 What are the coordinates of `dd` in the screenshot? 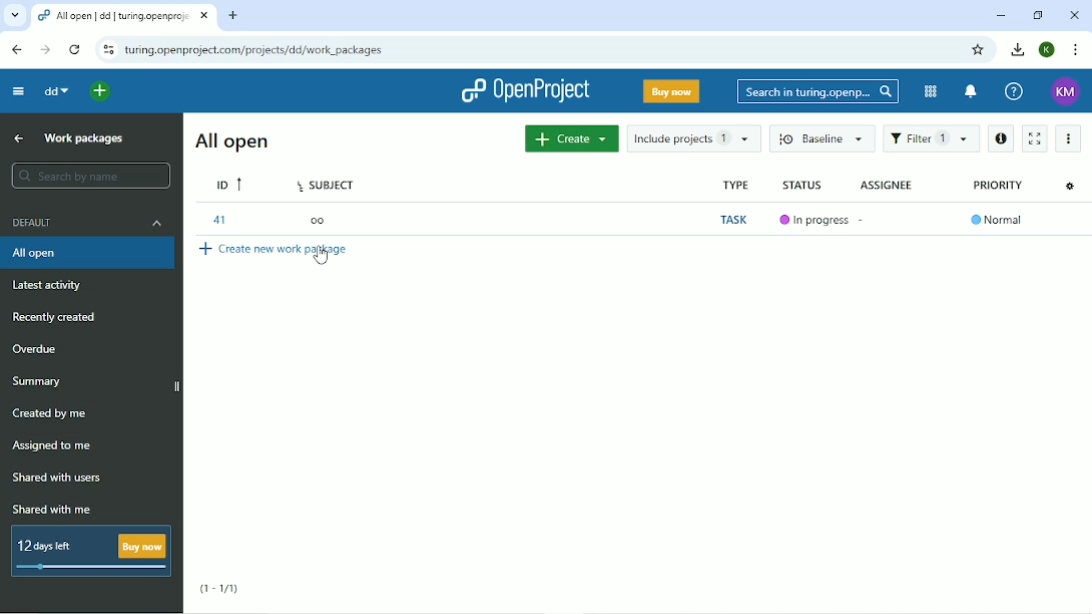 It's located at (56, 91).